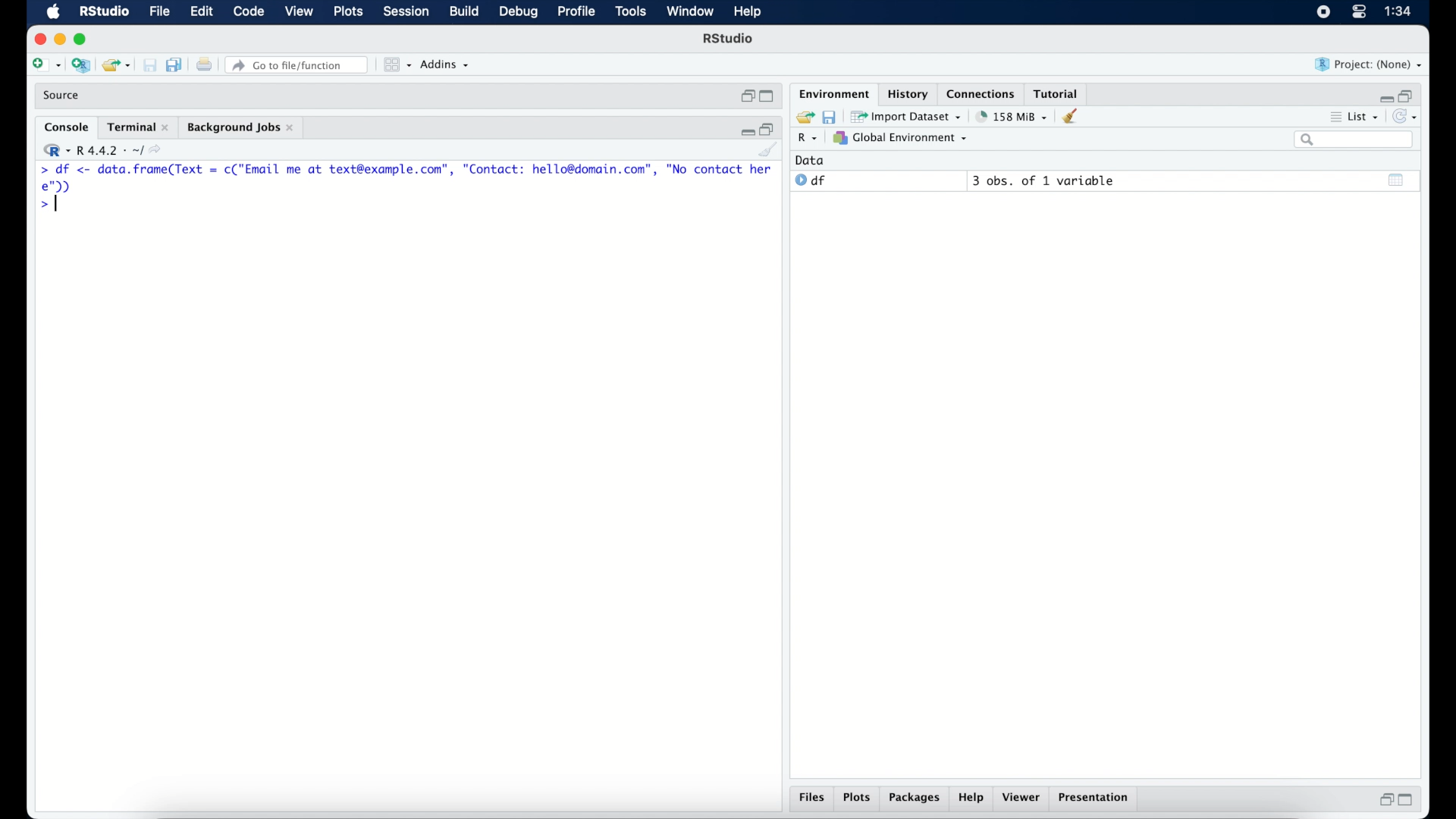  Describe the element at coordinates (1073, 117) in the screenshot. I see `clear console` at that location.